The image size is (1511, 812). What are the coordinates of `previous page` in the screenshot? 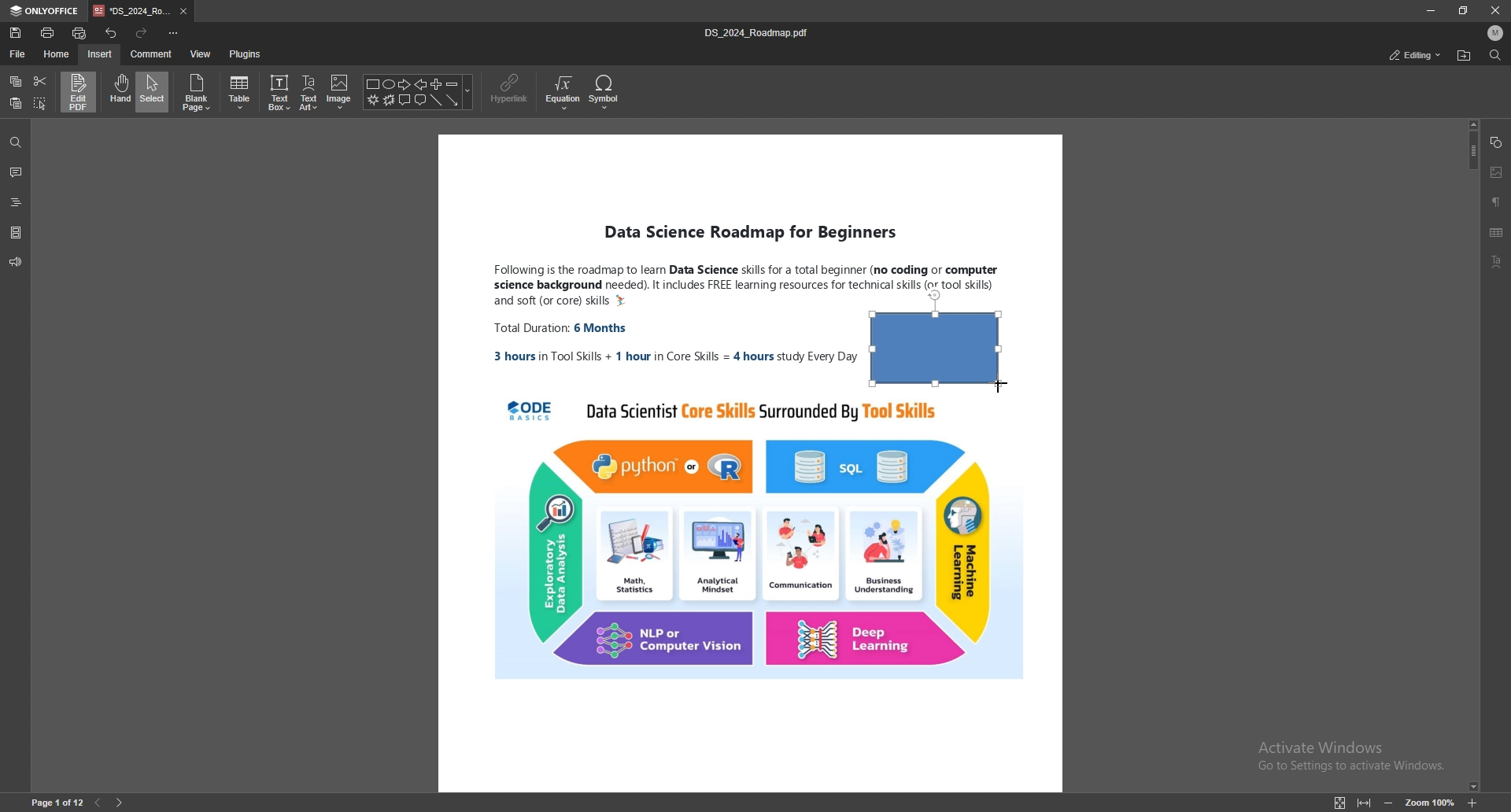 It's located at (99, 801).